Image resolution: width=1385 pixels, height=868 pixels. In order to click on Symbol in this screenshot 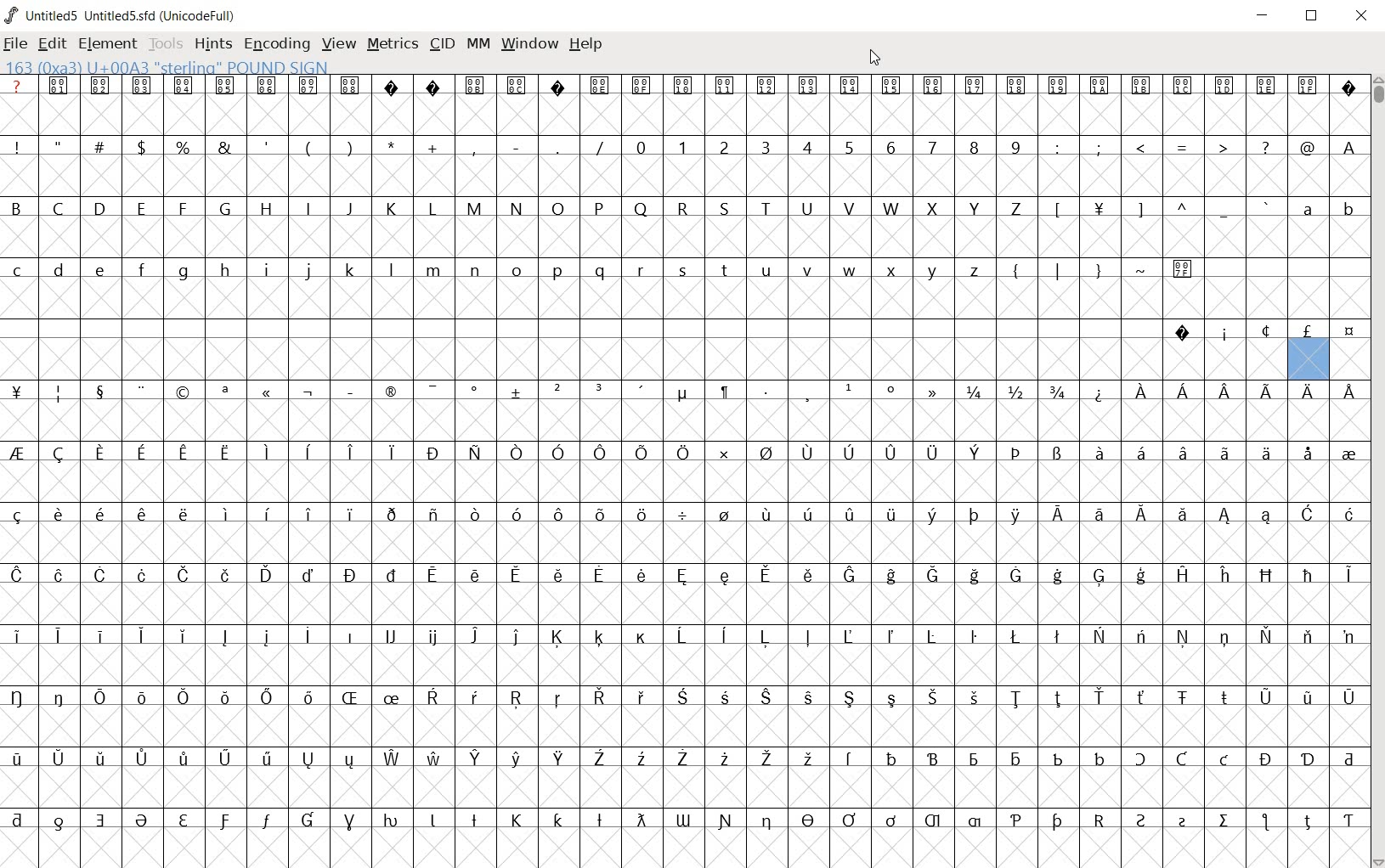, I will do `click(1308, 392)`.